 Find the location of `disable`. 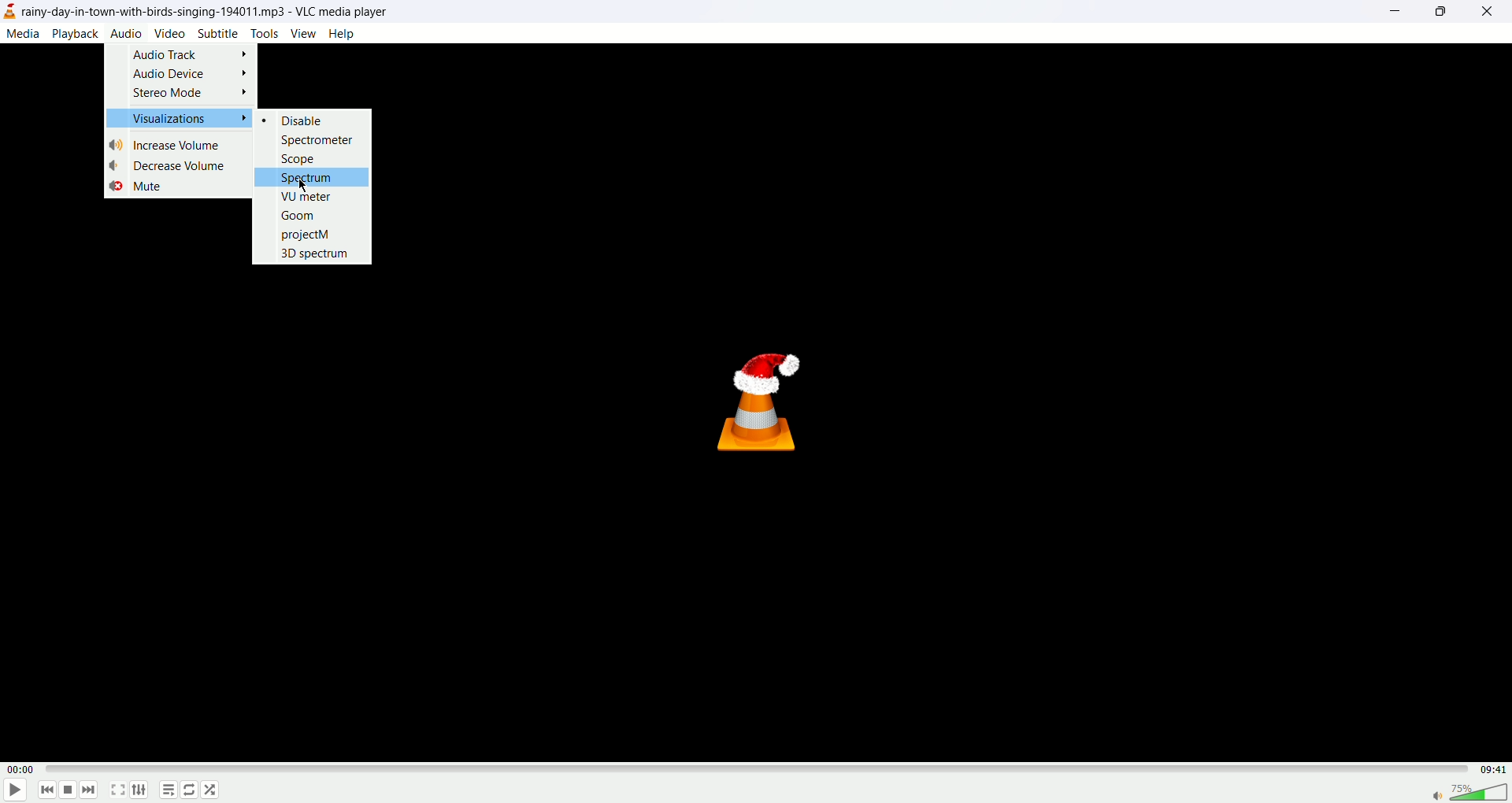

disable is located at coordinates (301, 120).